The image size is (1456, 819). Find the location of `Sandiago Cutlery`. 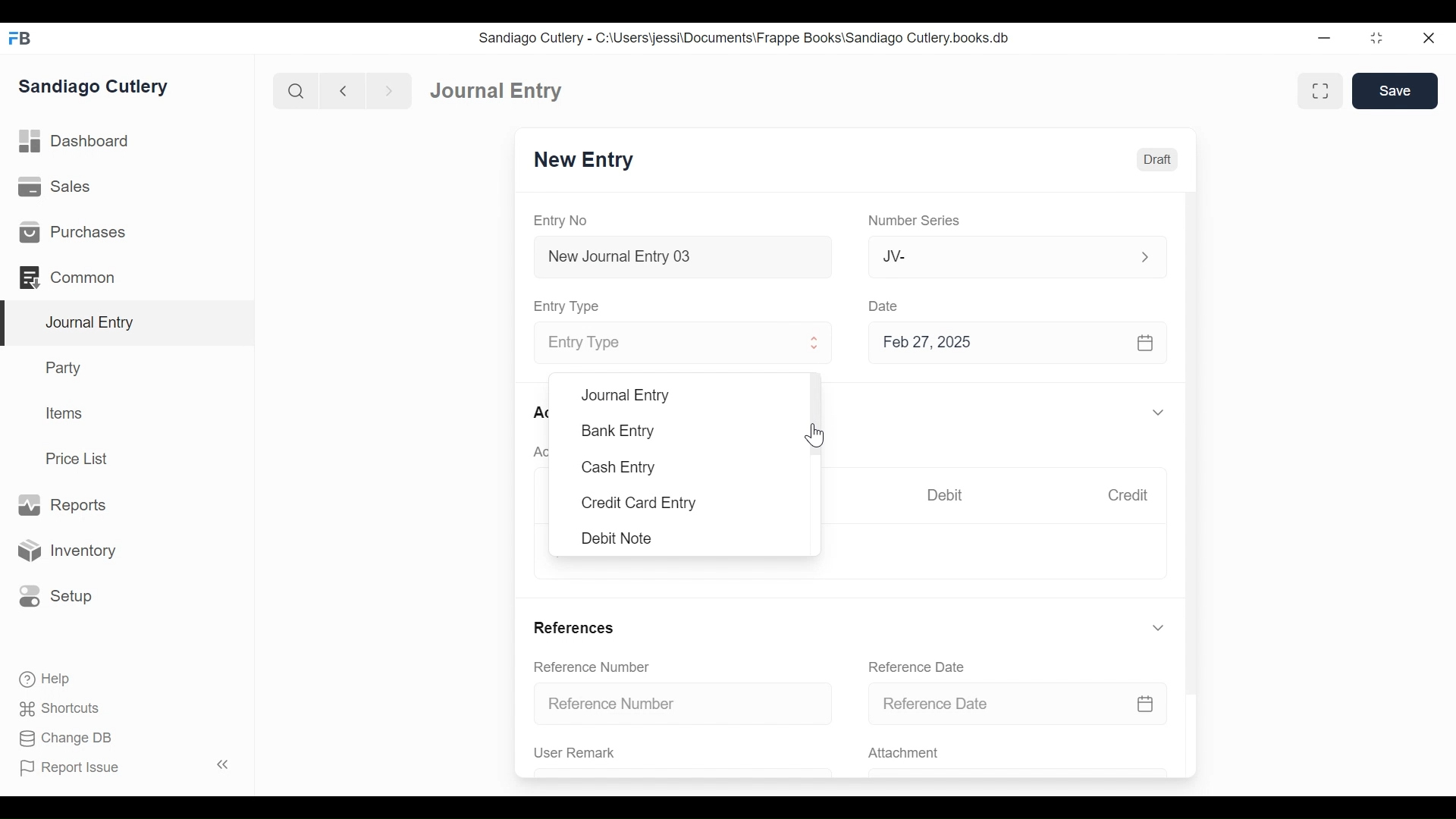

Sandiago Cutlery is located at coordinates (96, 88).